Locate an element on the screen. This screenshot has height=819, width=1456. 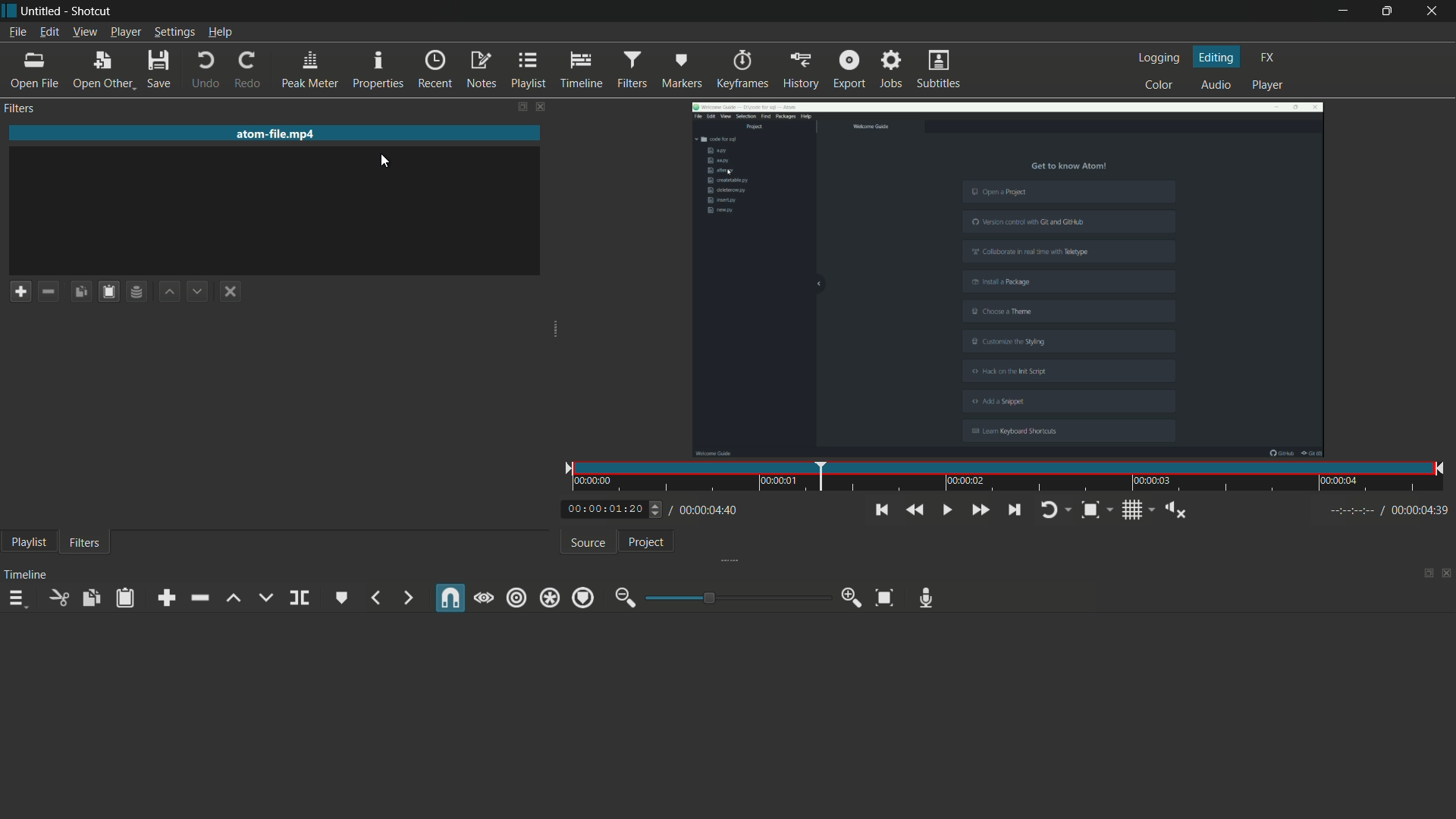
editing is located at coordinates (1216, 56).